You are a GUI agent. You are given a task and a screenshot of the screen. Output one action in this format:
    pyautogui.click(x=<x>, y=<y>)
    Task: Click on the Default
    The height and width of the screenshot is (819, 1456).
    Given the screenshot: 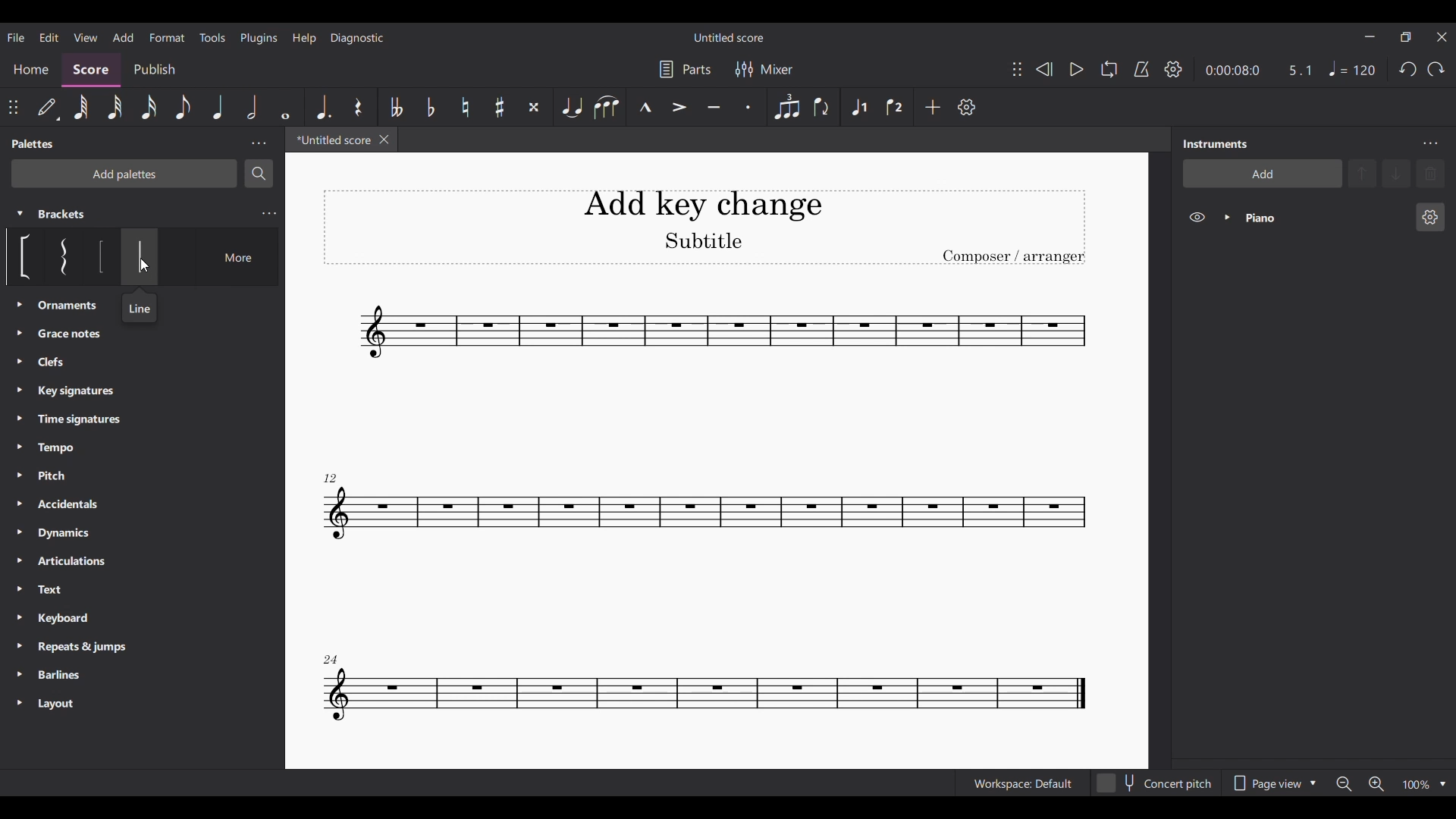 What is the action you would take?
    pyautogui.click(x=48, y=108)
    